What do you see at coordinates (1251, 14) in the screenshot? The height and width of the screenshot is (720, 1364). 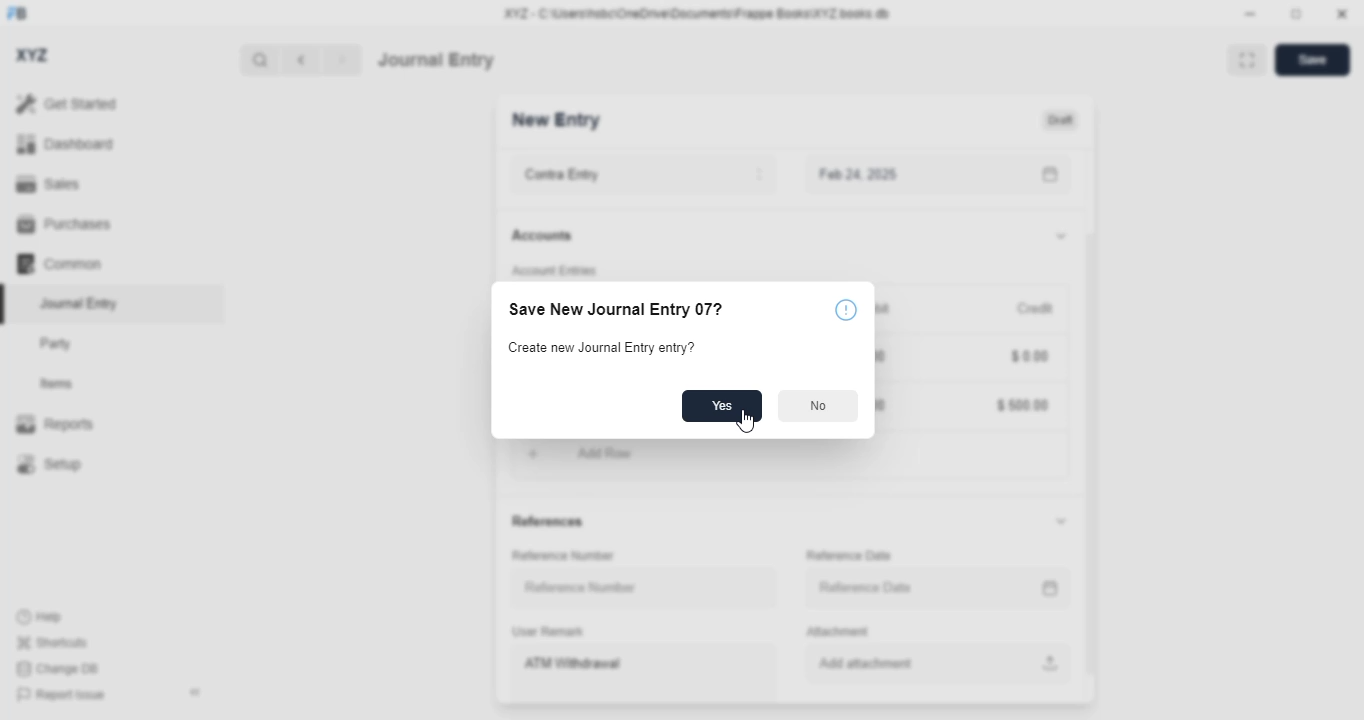 I see `minimize` at bounding box center [1251, 14].